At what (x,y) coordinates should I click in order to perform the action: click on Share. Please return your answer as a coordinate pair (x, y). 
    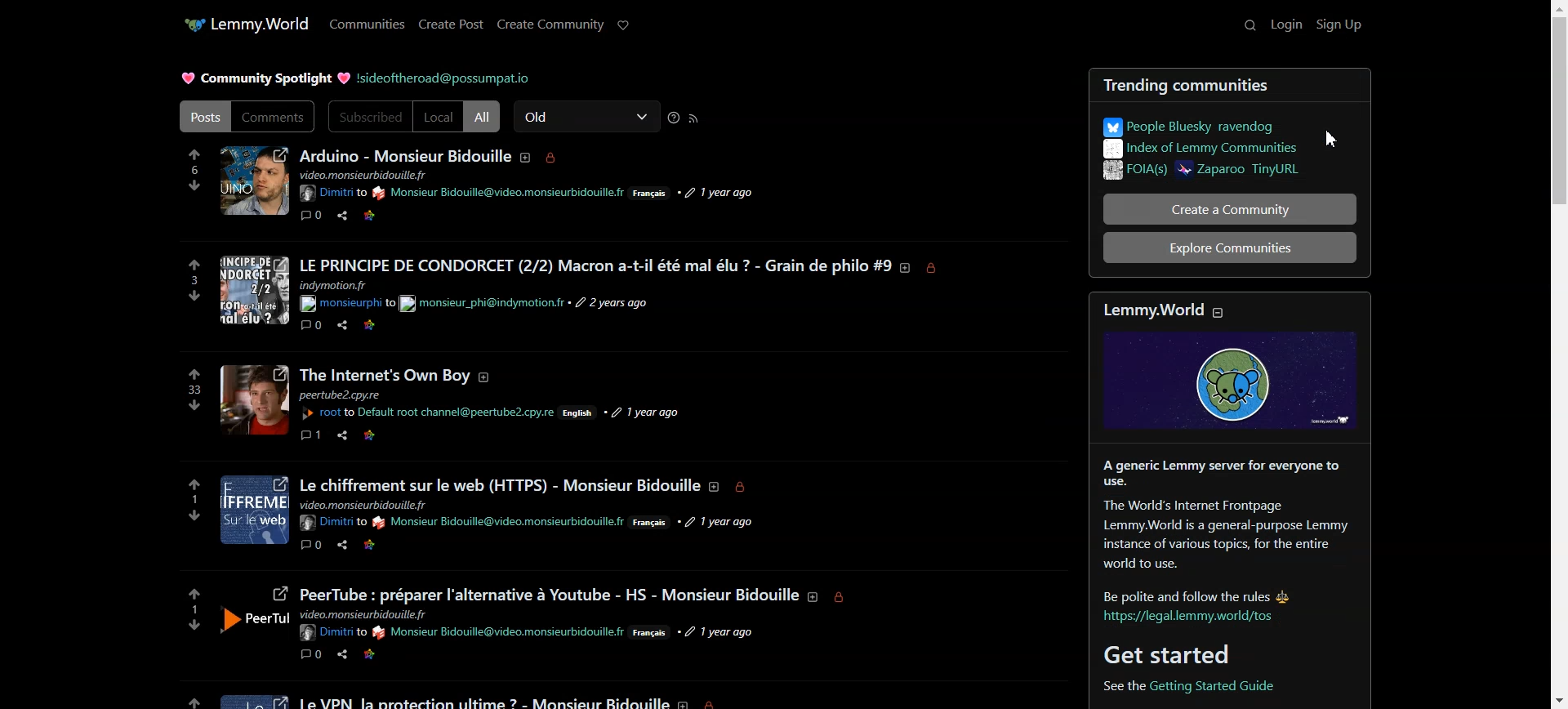
    Looking at the image, I should click on (342, 215).